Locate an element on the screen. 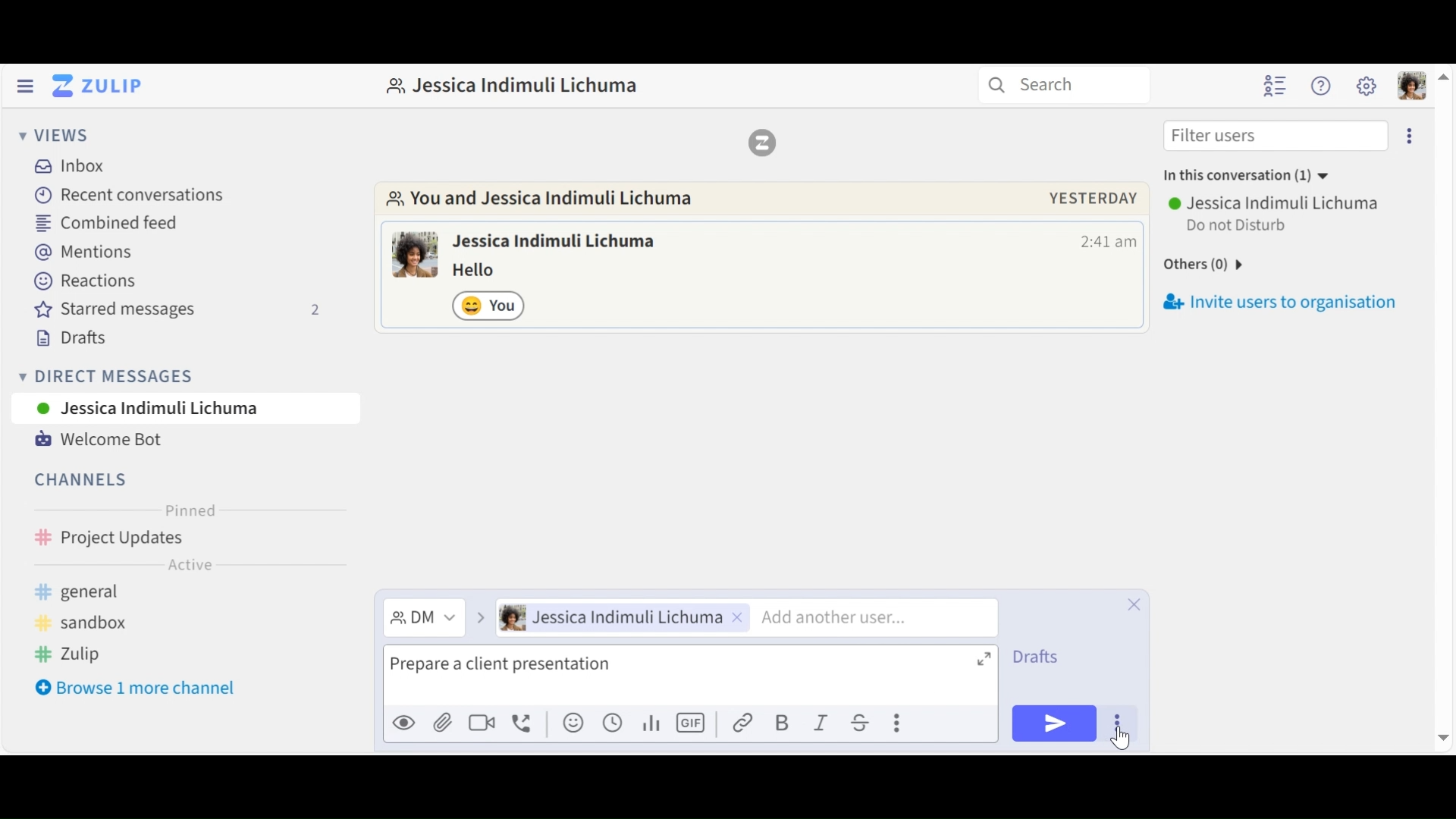 The height and width of the screenshot is (819, 1456). Channel is located at coordinates (185, 539).